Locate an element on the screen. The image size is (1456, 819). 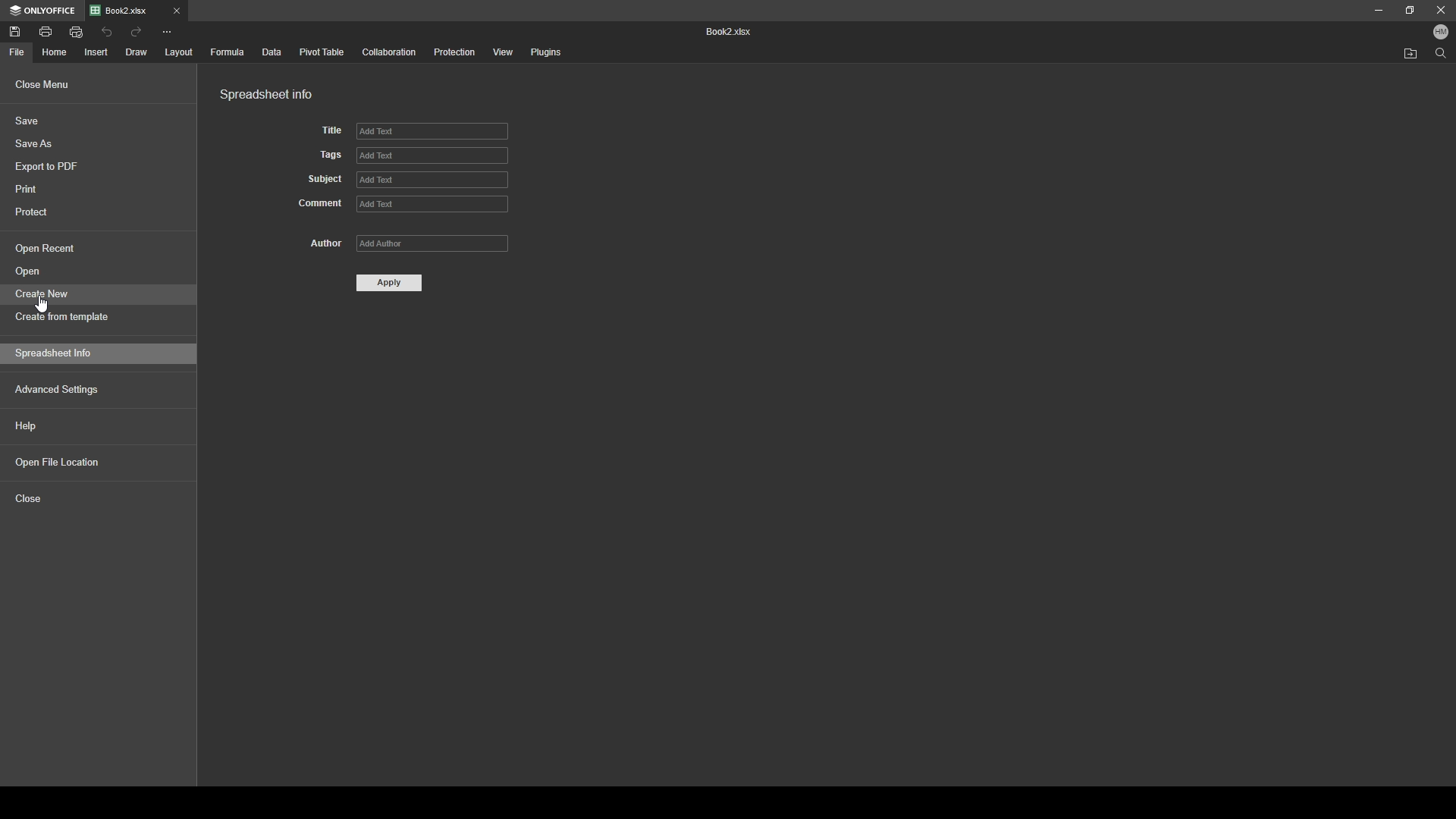
subject is located at coordinates (328, 178).